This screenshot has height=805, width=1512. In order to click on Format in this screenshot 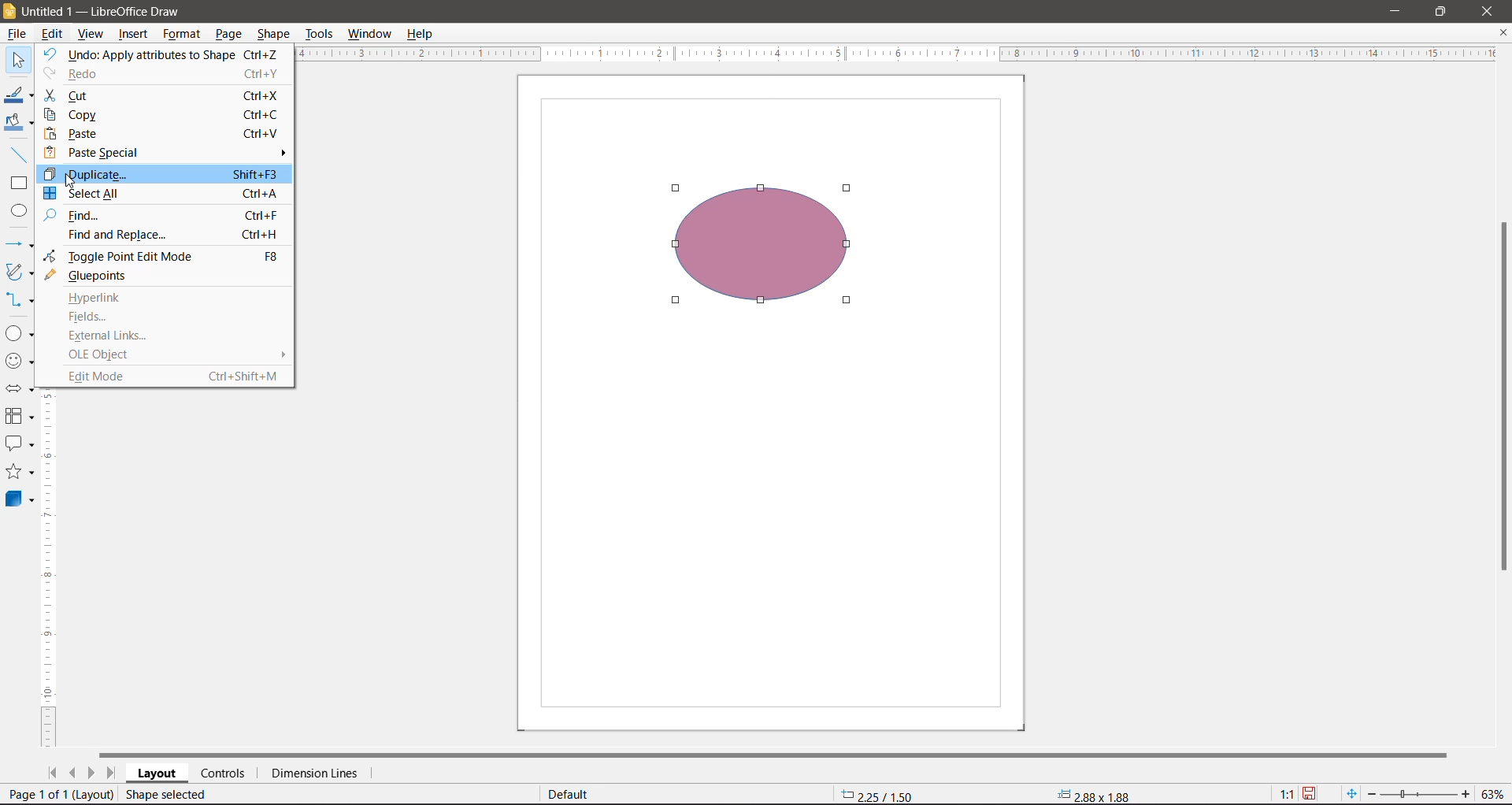, I will do `click(181, 34)`.